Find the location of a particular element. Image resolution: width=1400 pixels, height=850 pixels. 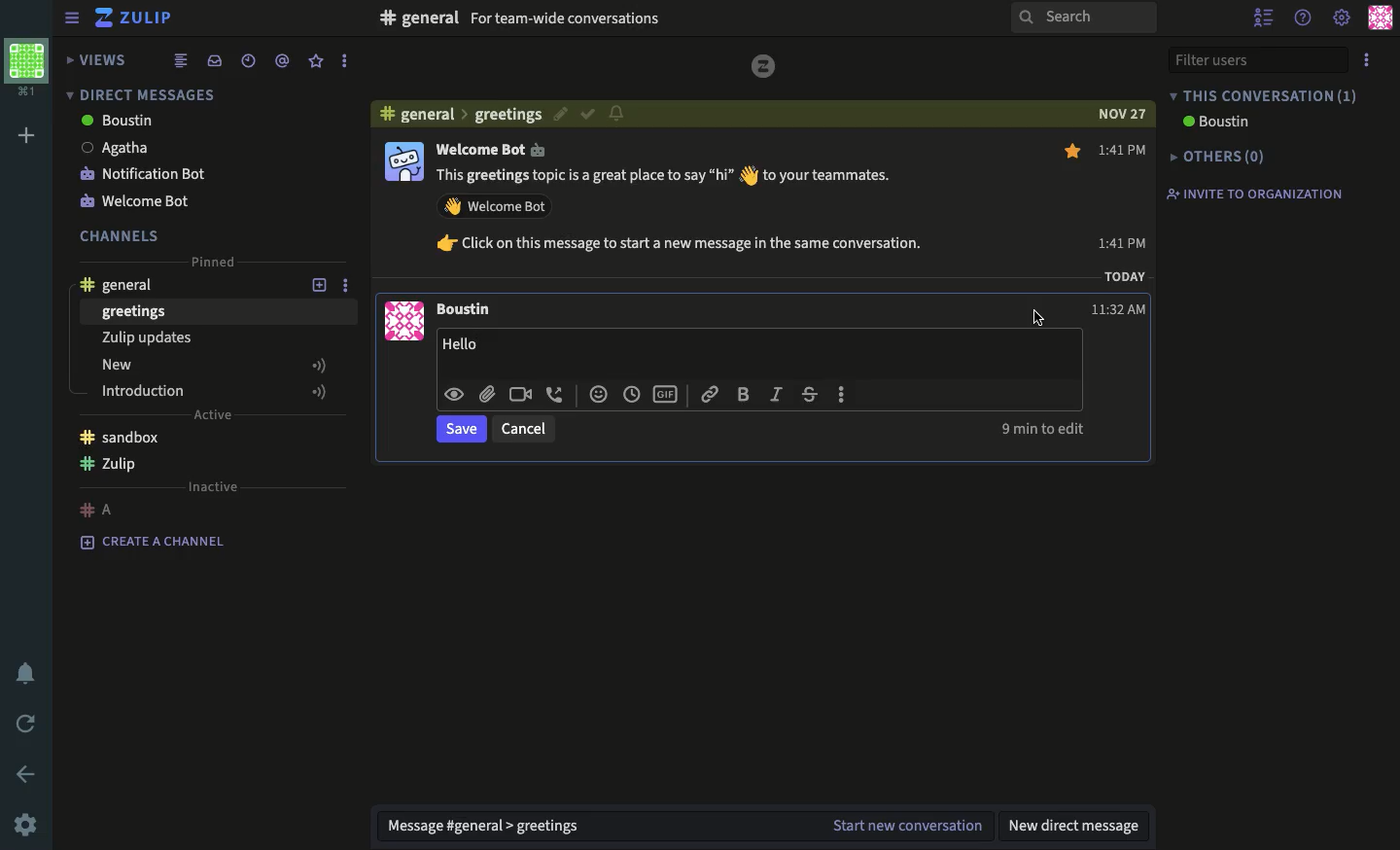

inbox is located at coordinates (214, 60).